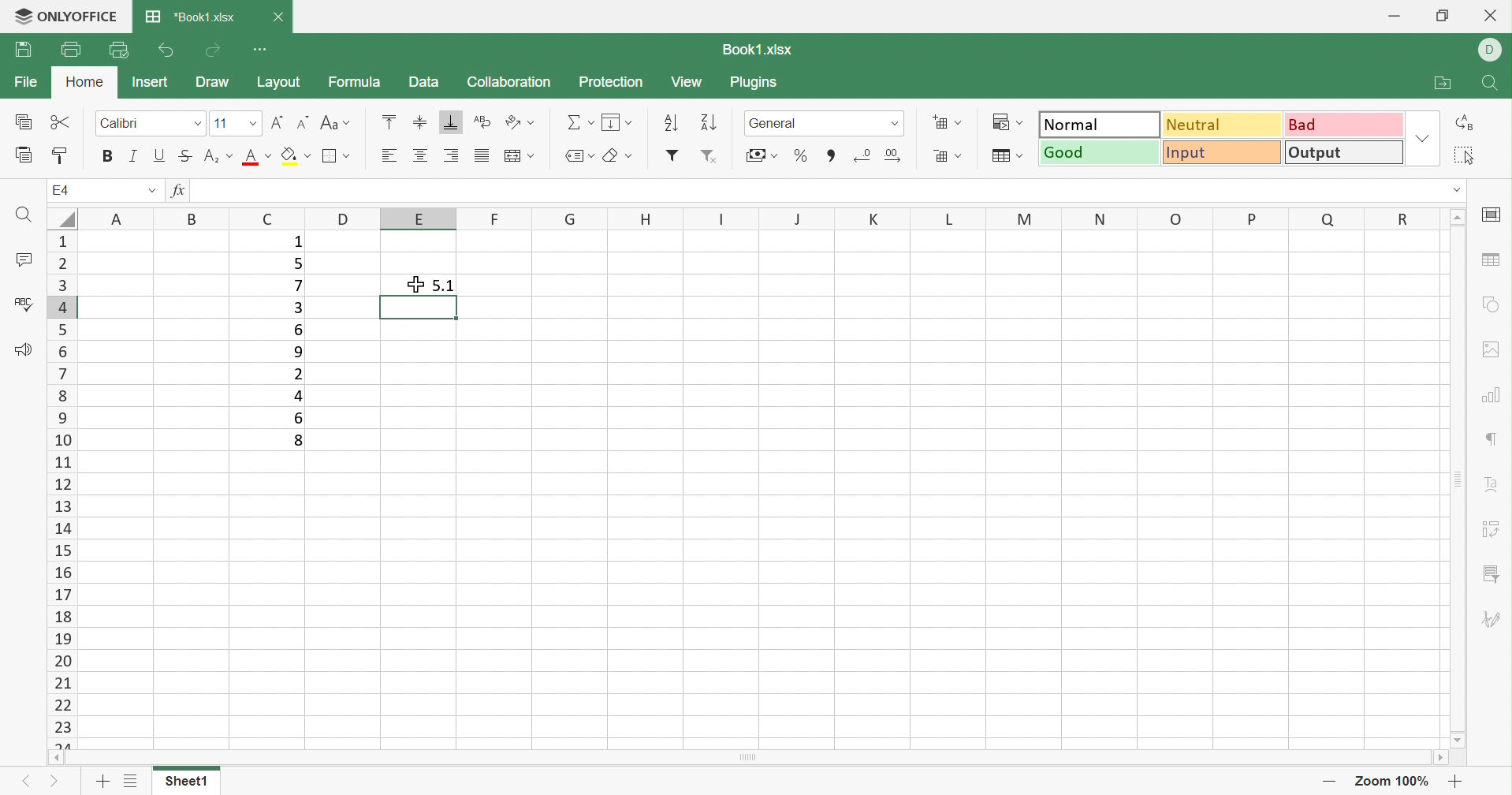 The image size is (1512, 795). I want to click on Descending order, so click(705, 123).